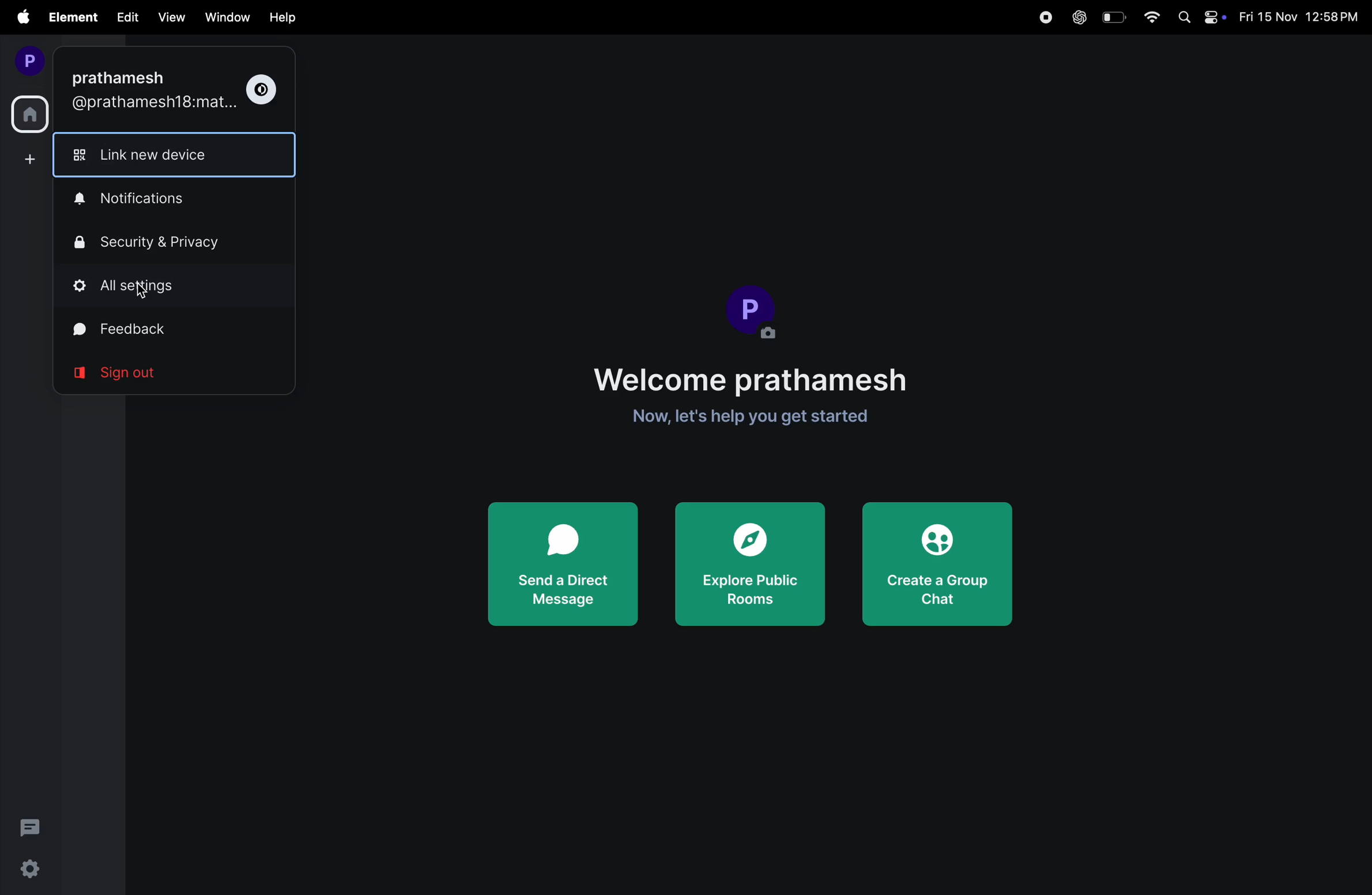  Describe the element at coordinates (1153, 18) in the screenshot. I see `wifi` at that location.